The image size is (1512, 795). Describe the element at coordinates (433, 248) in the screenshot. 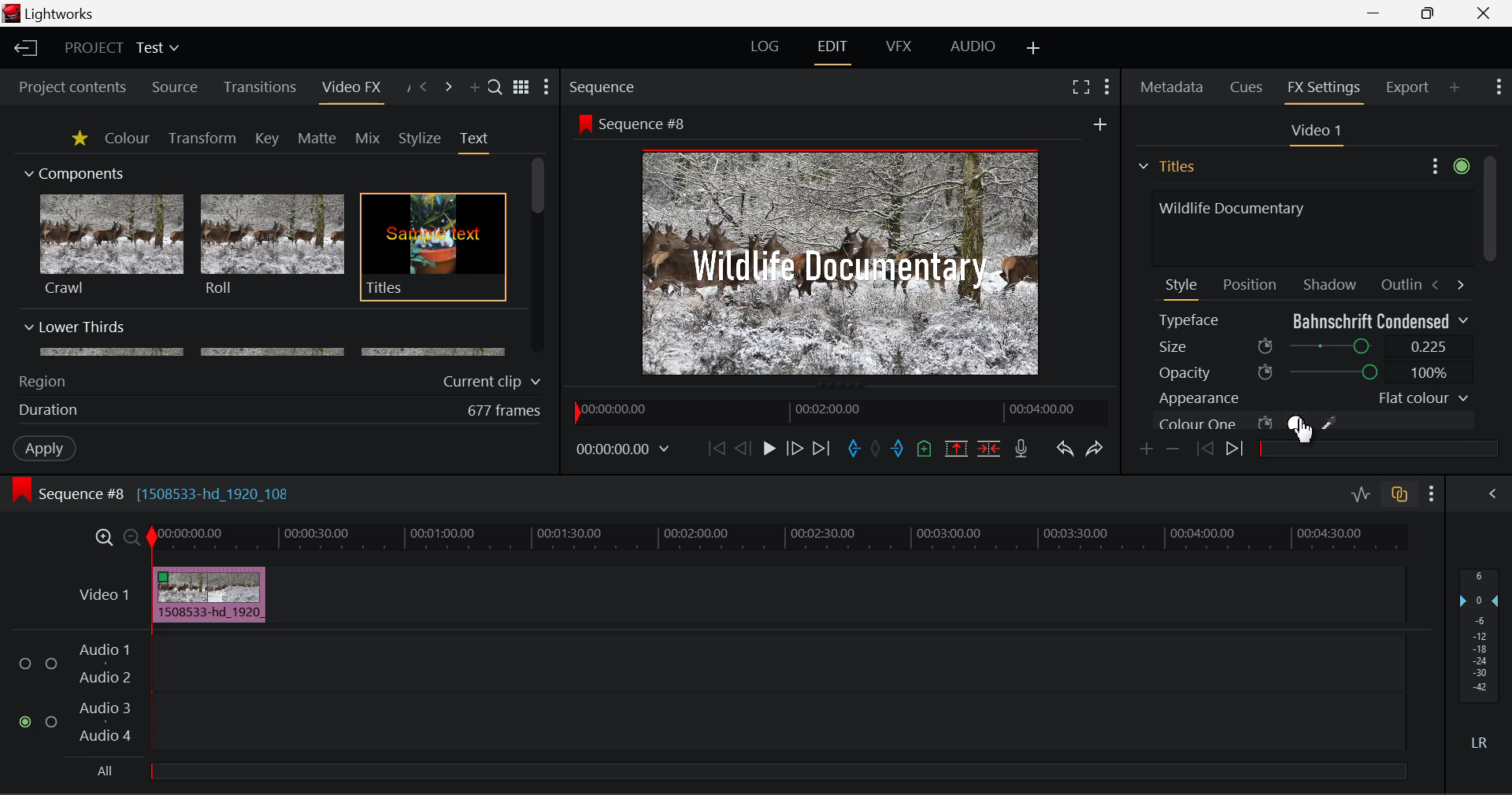

I see `Titles` at that location.